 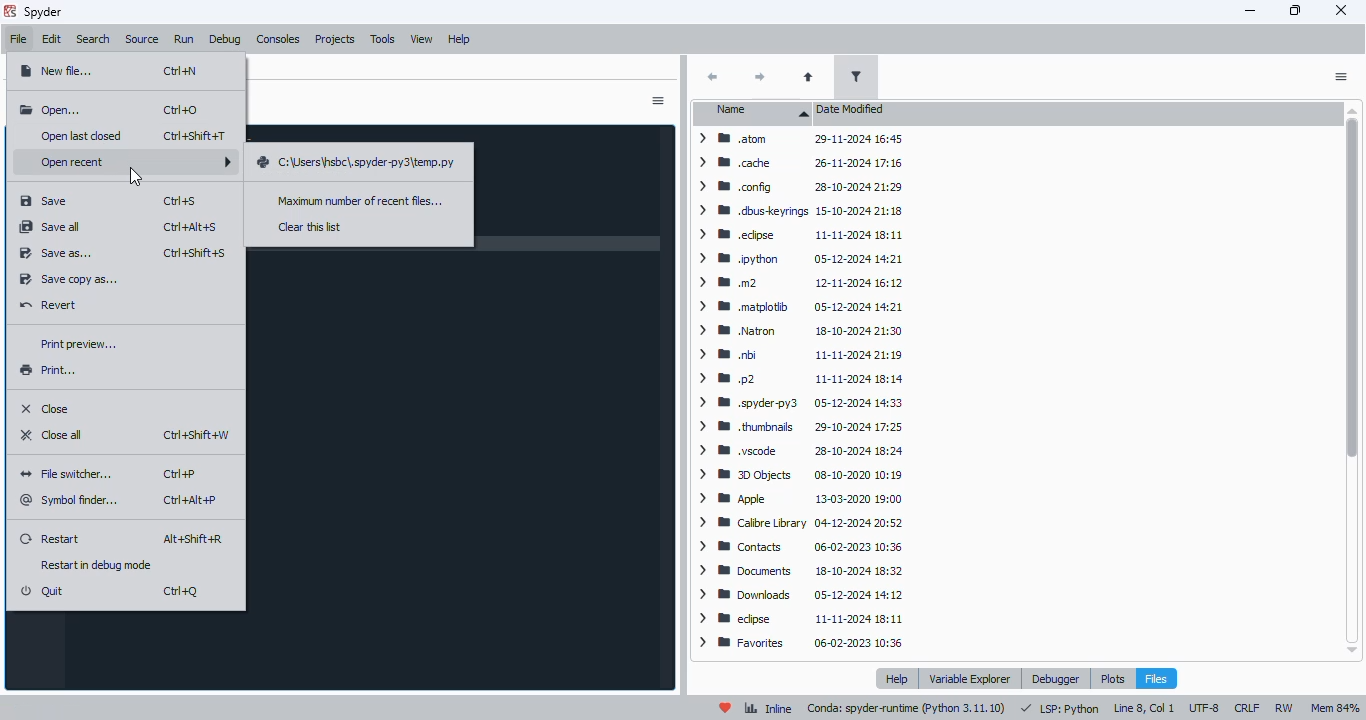 I want to click on > WB thumbnails 29-10-2024 17:25, so click(x=798, y=425).